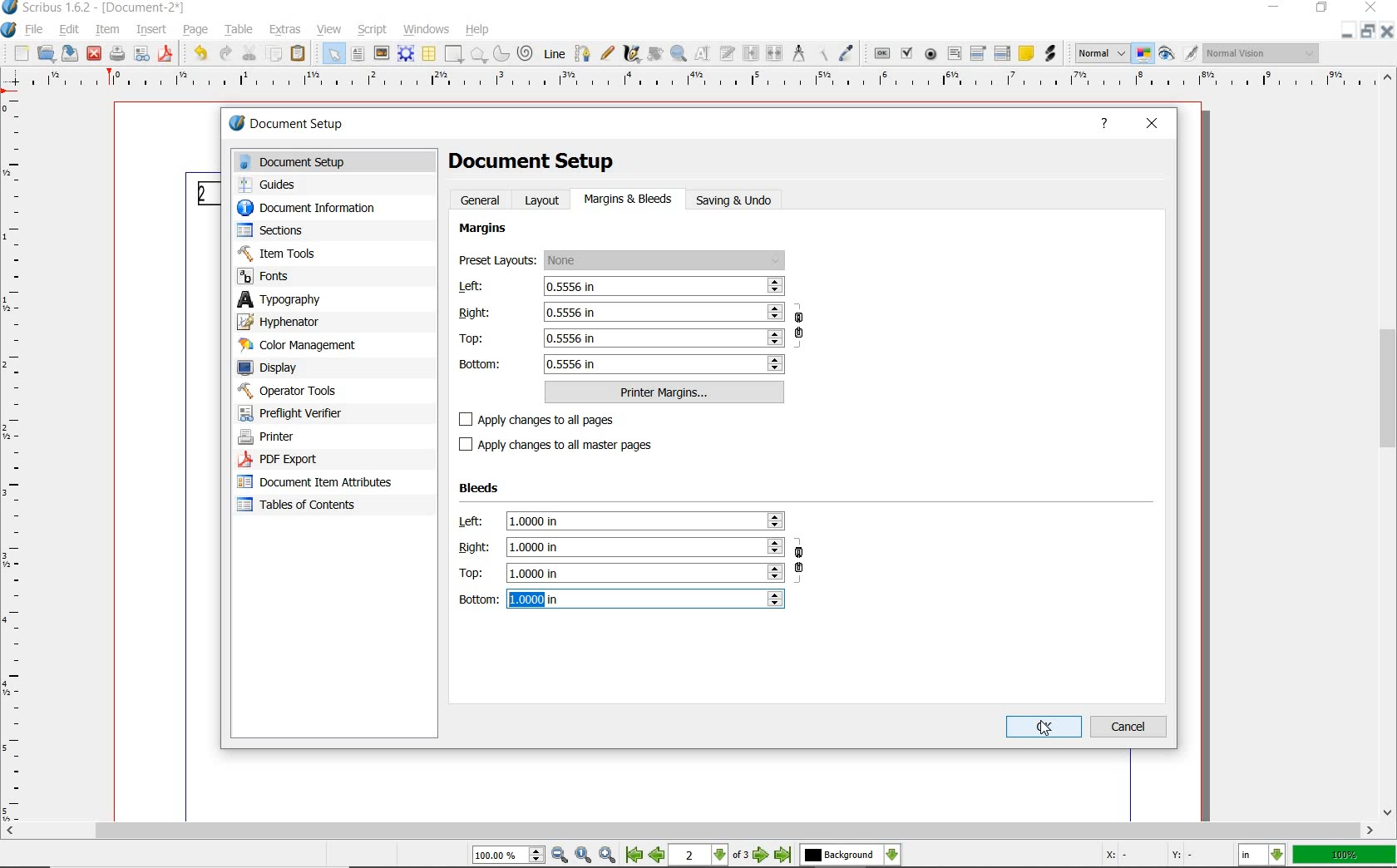 The image size is (1397, 868). What do you see at coordinates (284, 323) in the screenshot?
I see `hyphenator` at bounding box center [284, 323].